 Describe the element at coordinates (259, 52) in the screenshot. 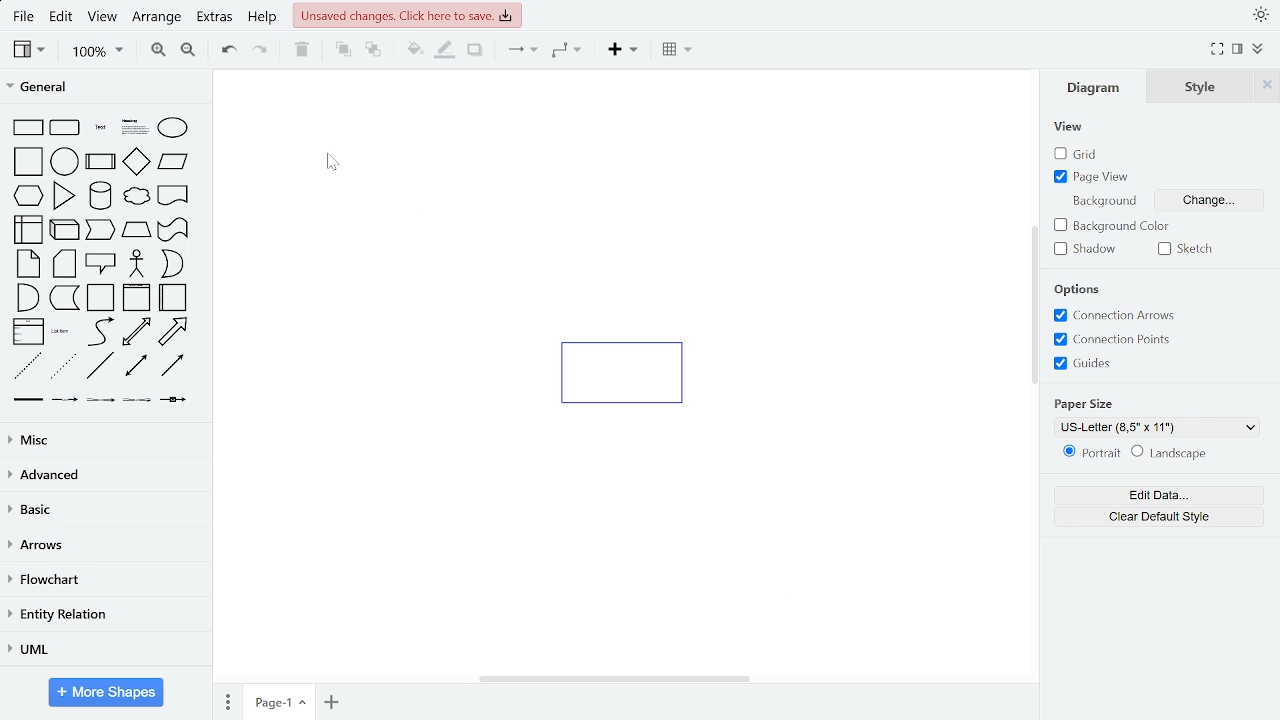

I see `redo` at that location.